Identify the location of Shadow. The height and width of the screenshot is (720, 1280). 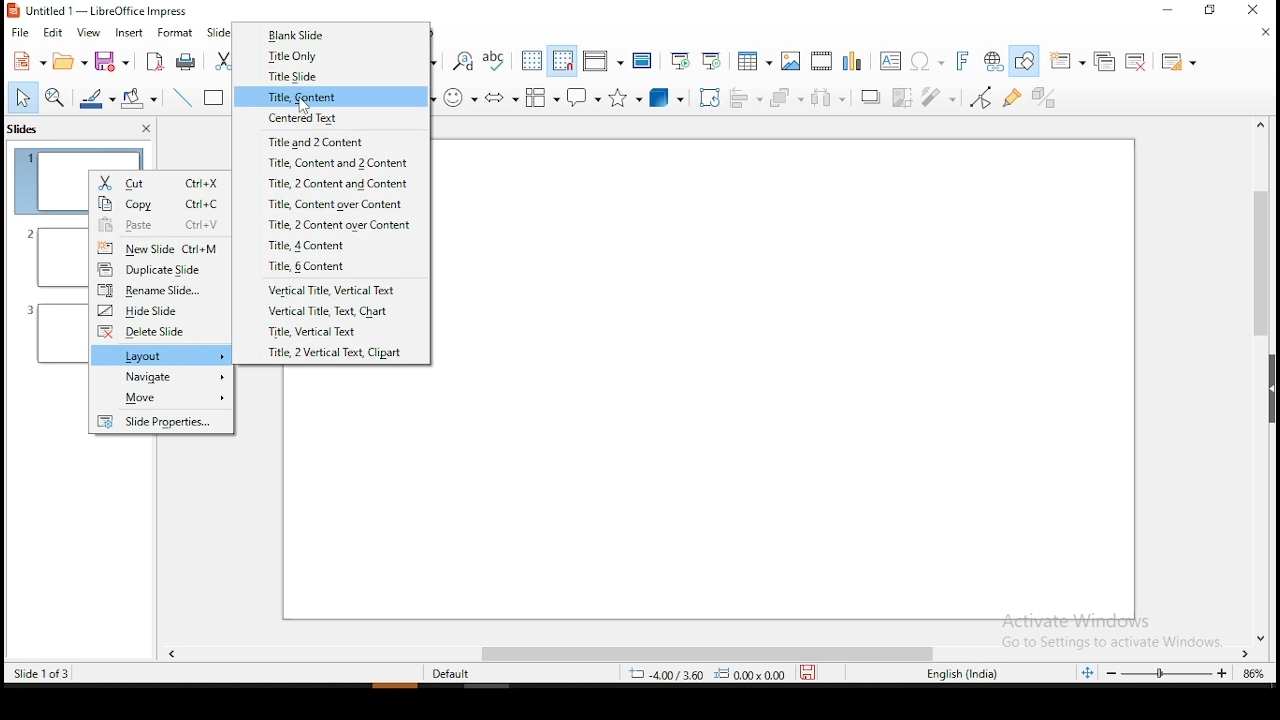
(868, 98).